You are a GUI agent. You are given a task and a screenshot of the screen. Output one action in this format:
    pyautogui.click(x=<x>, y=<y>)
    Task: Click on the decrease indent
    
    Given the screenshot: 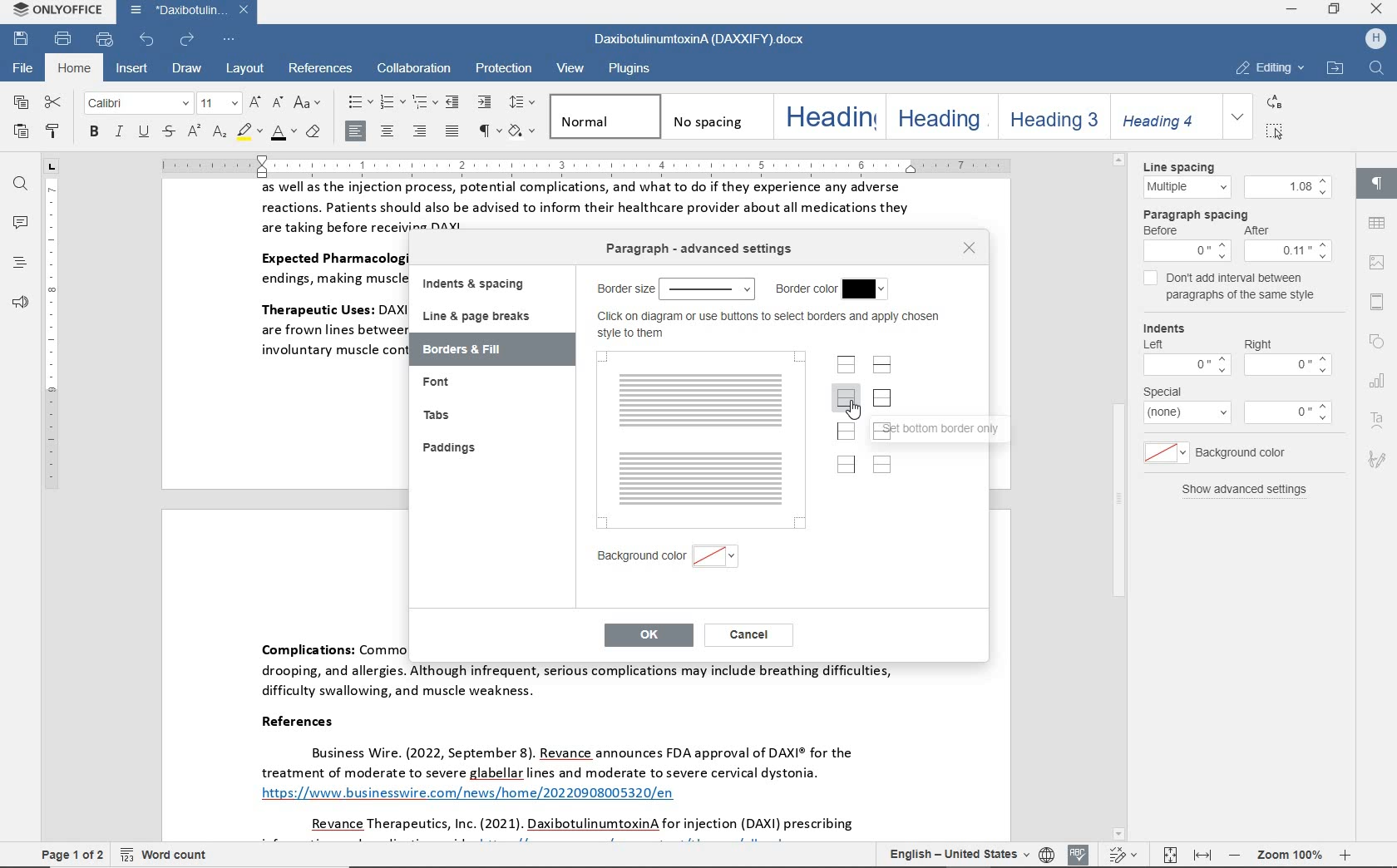 What is the action you would take?
    pyautogui.click(x=455, y=101)
    